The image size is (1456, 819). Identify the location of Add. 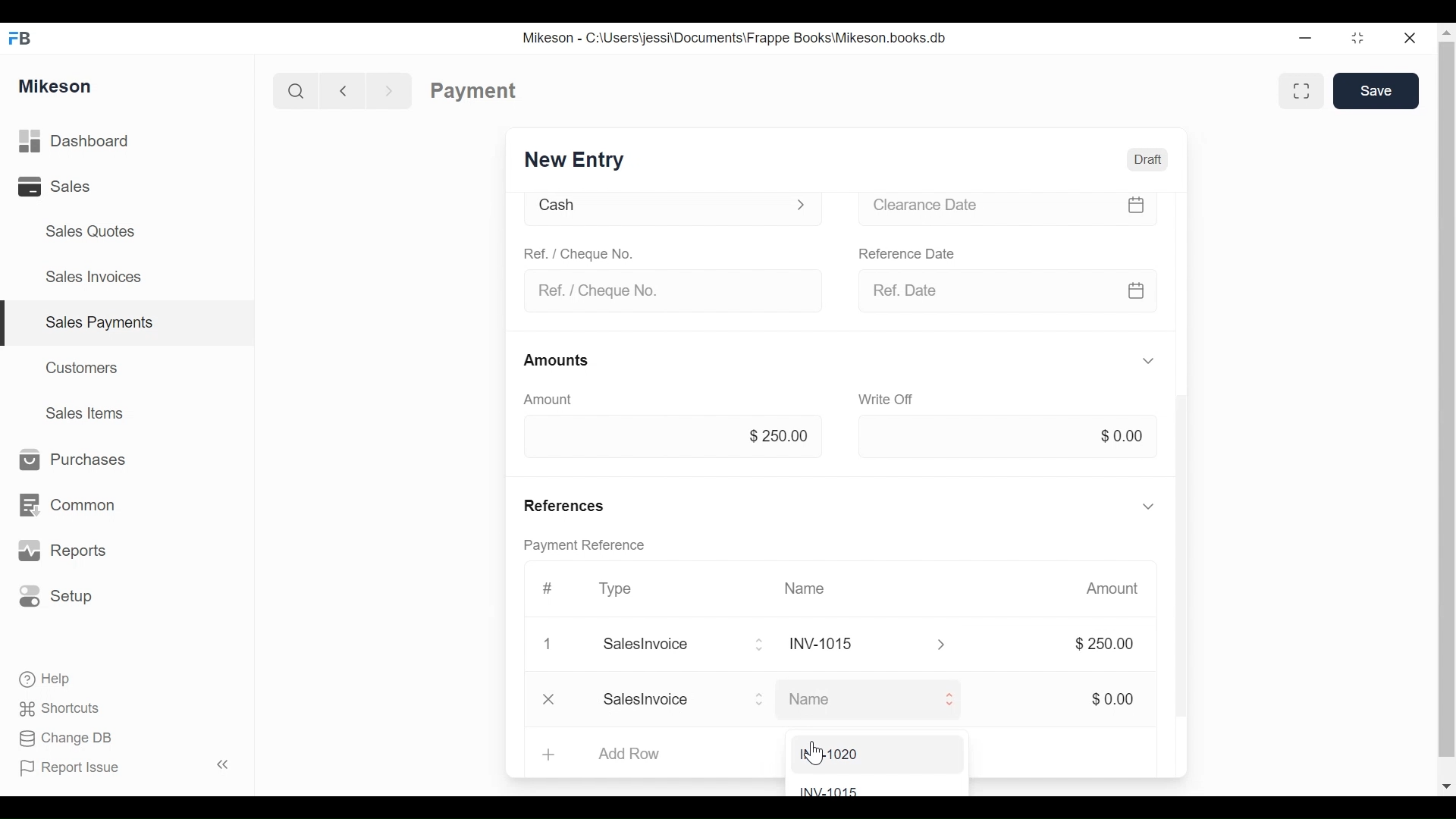
(554, 752).